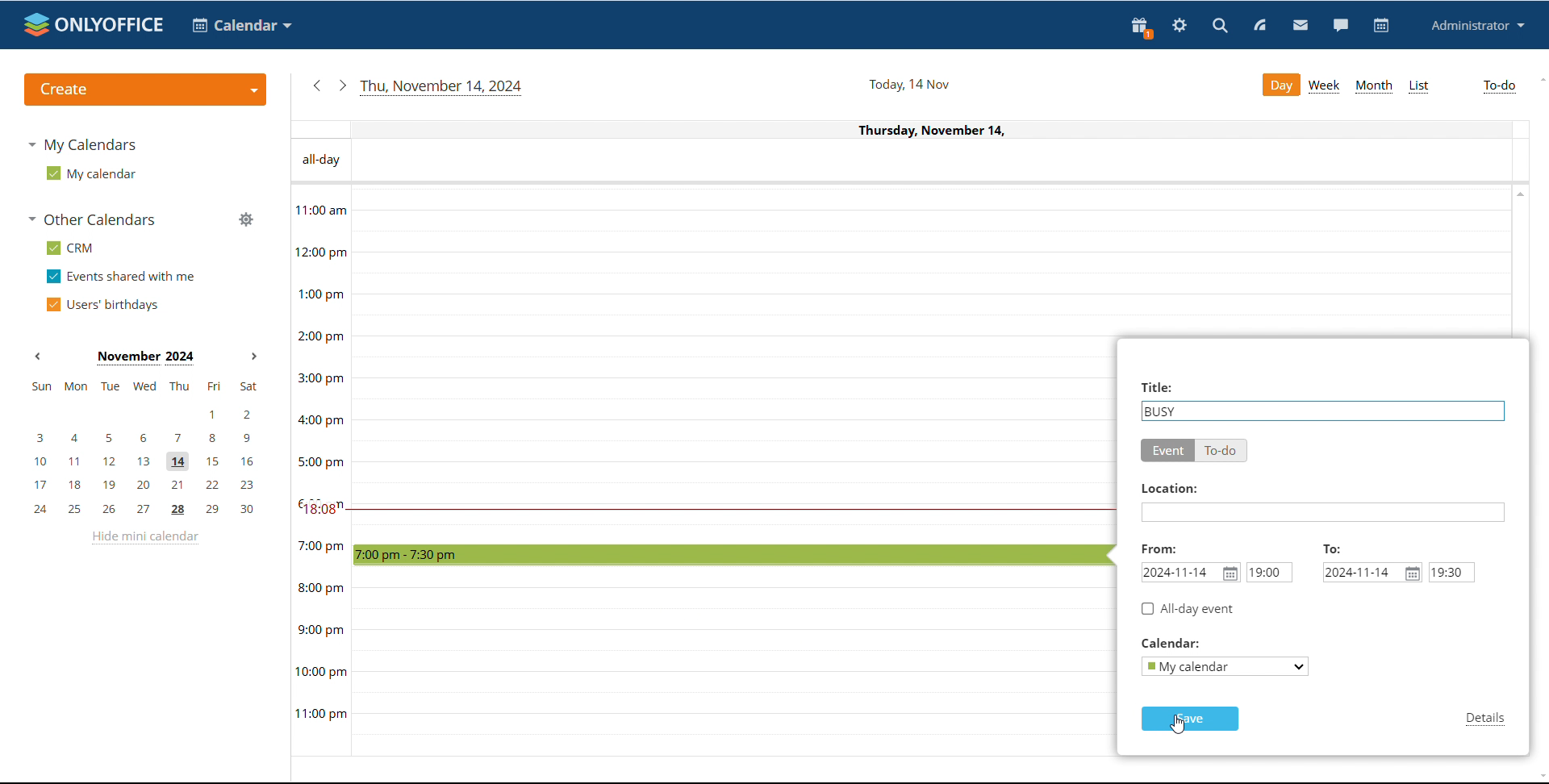 Image resolution: width=1549 pixels, height=784 pixels. What do you see at coordinates (322, 161) in the screenshot?
I see `All - day` at bounding box center [322, 161].